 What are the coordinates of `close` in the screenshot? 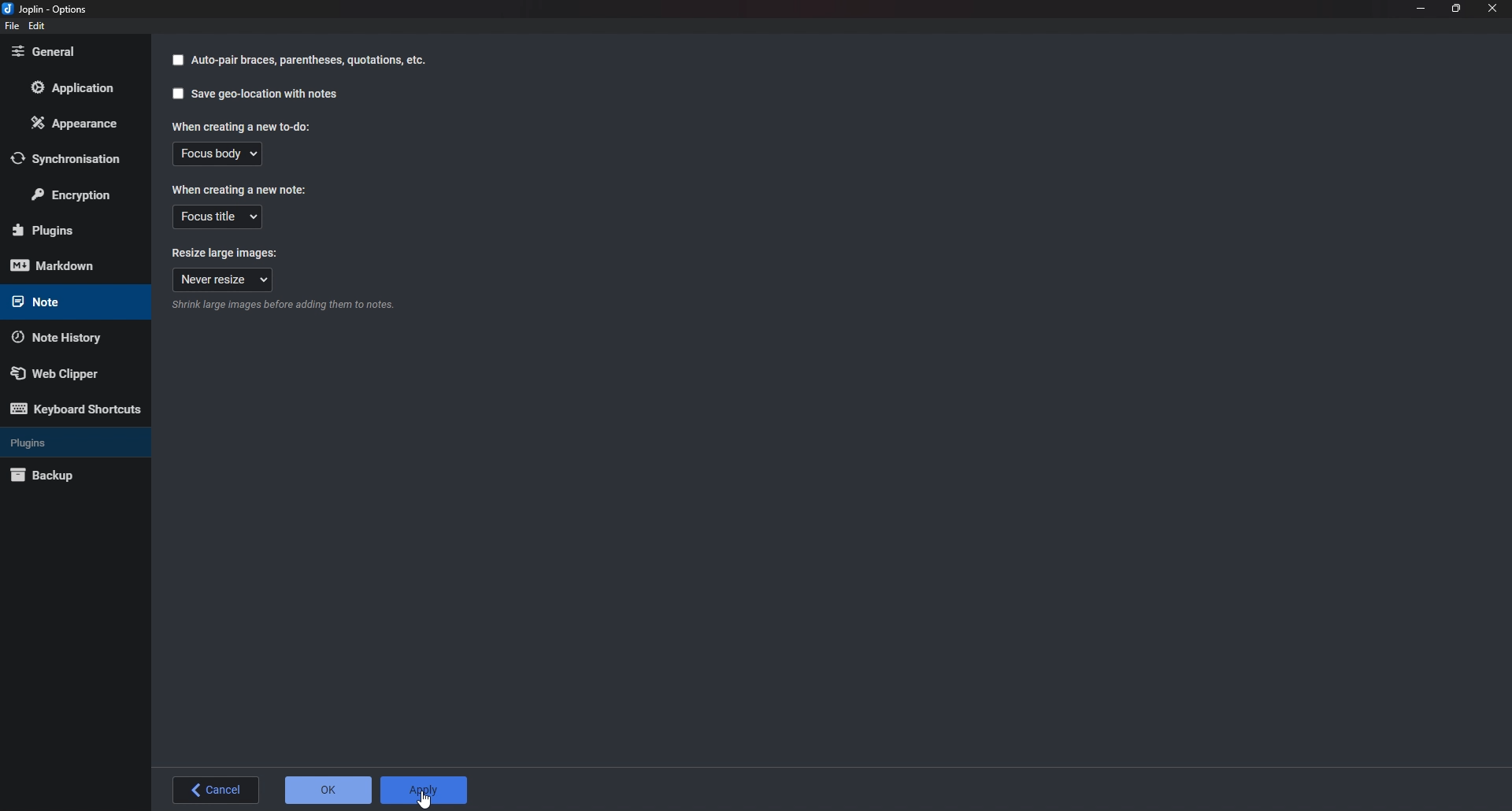 It's located at (1492, 8).